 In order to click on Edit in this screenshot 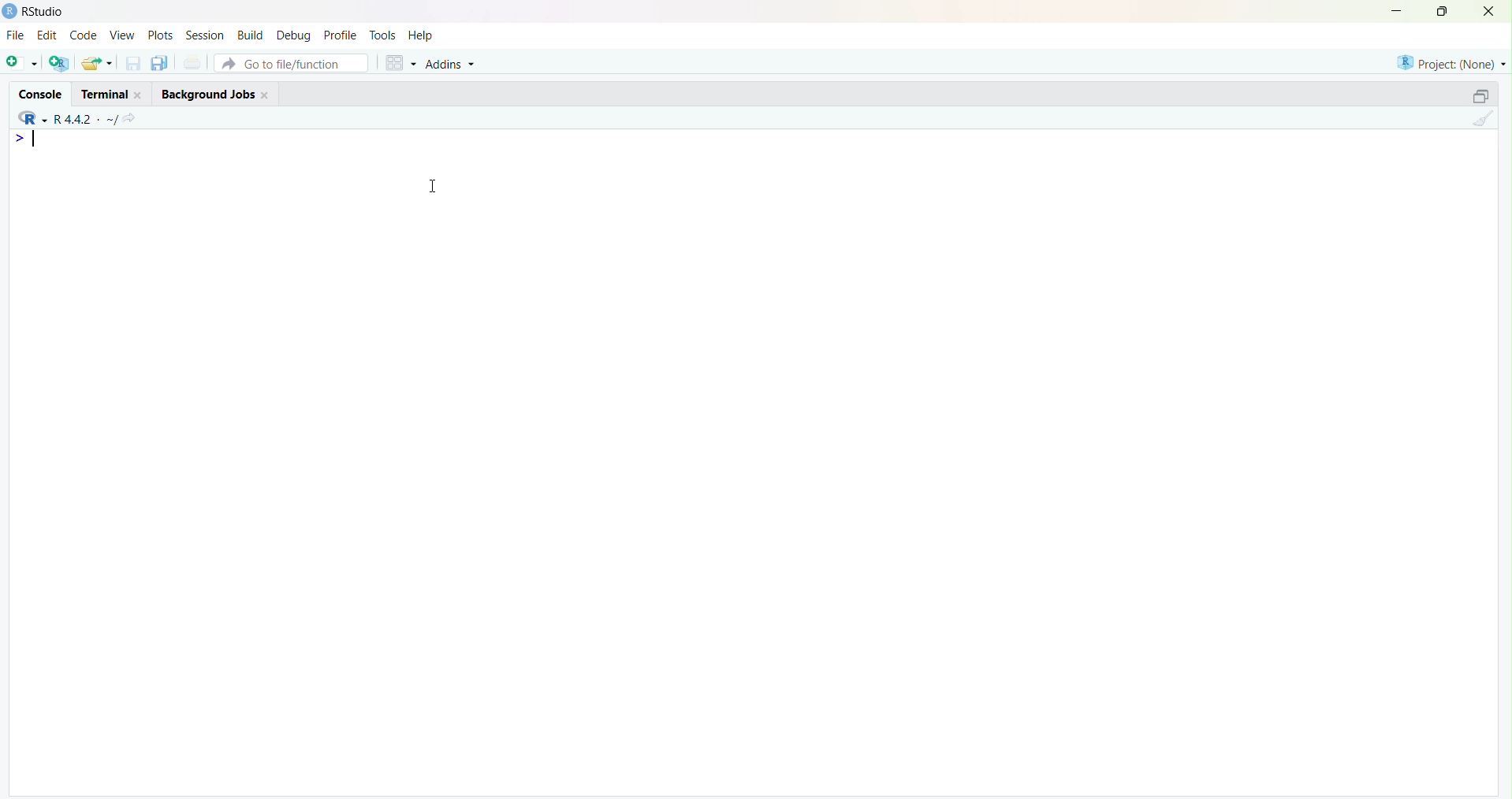, I will do `click(47, 33)`.